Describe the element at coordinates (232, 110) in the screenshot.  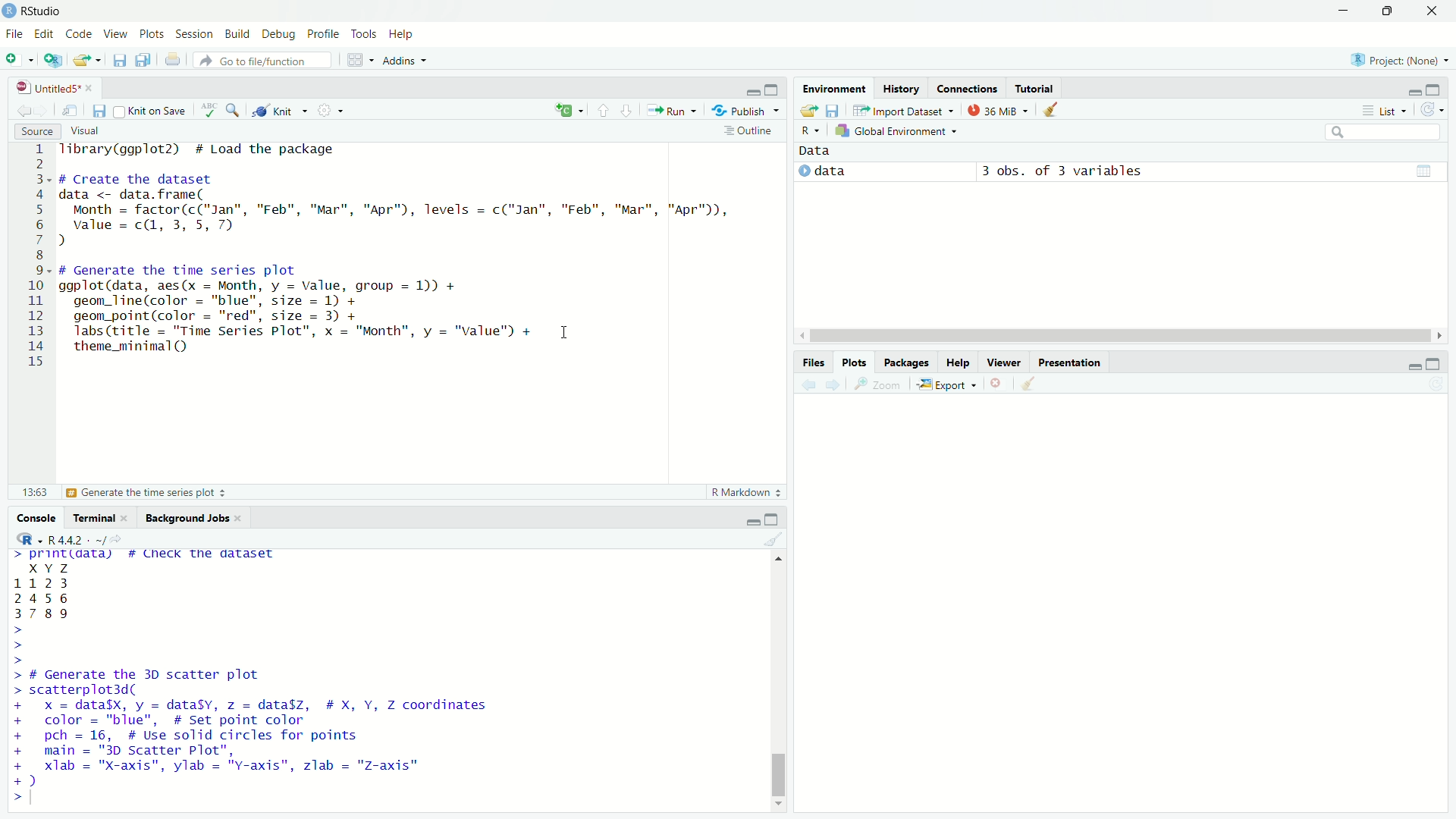
I see `find/replace` at that location.